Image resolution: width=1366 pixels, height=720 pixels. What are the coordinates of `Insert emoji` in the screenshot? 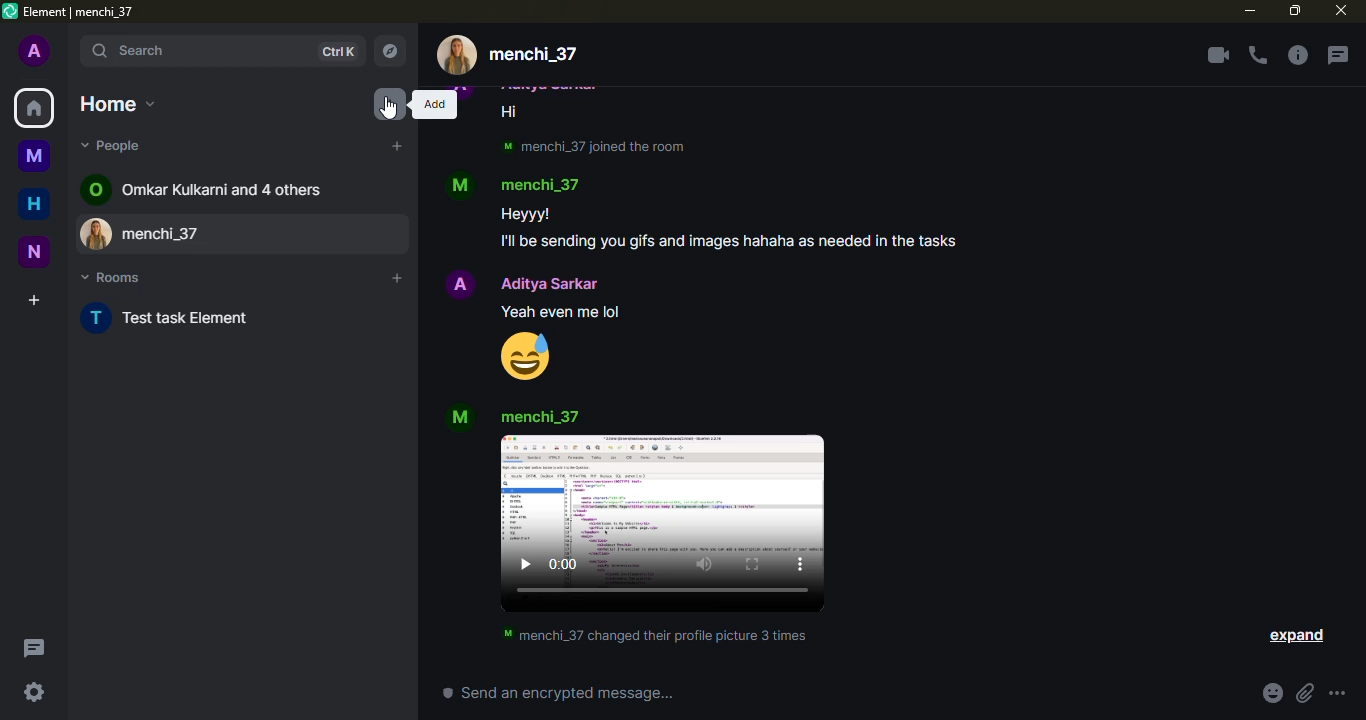 It's located at (1273, 693).